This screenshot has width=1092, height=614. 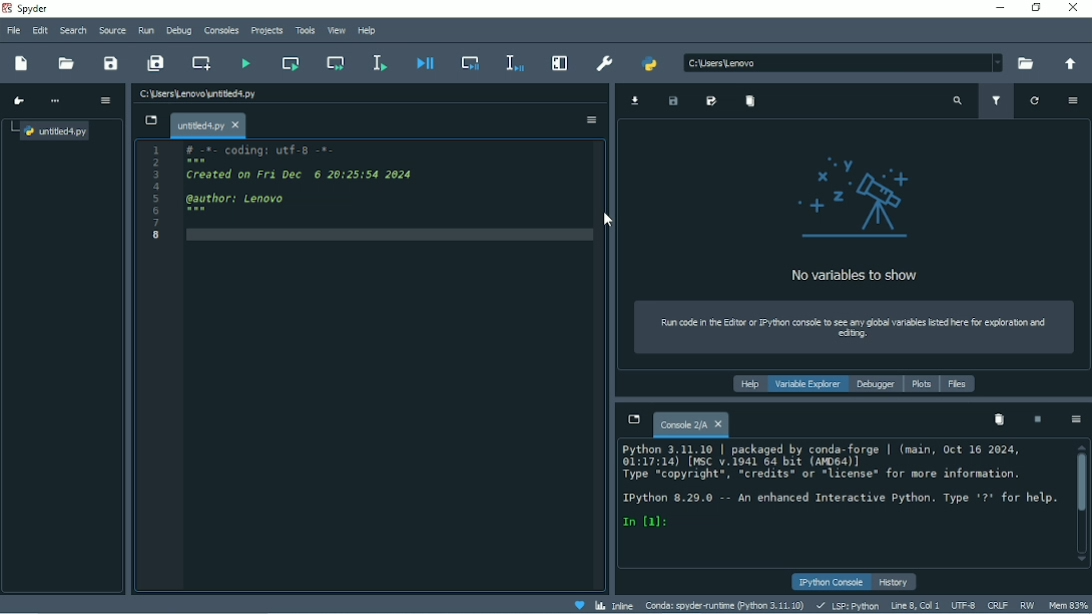 What do you see at coordinates (715, 100) in the screenshot?
I see `Save data as` at bounding box center [715, 100].